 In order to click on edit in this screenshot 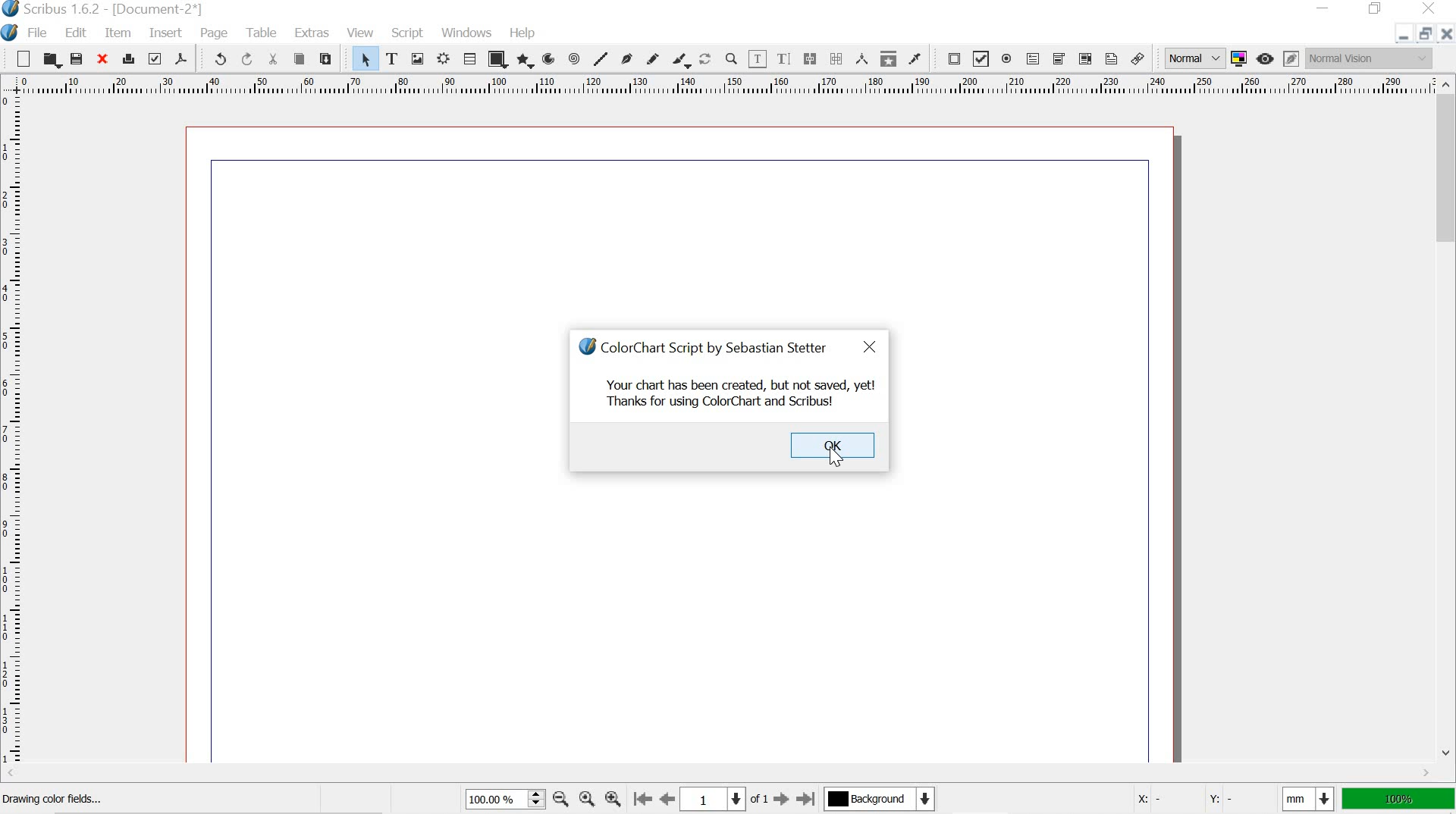, I will do `click(75, 32)`.